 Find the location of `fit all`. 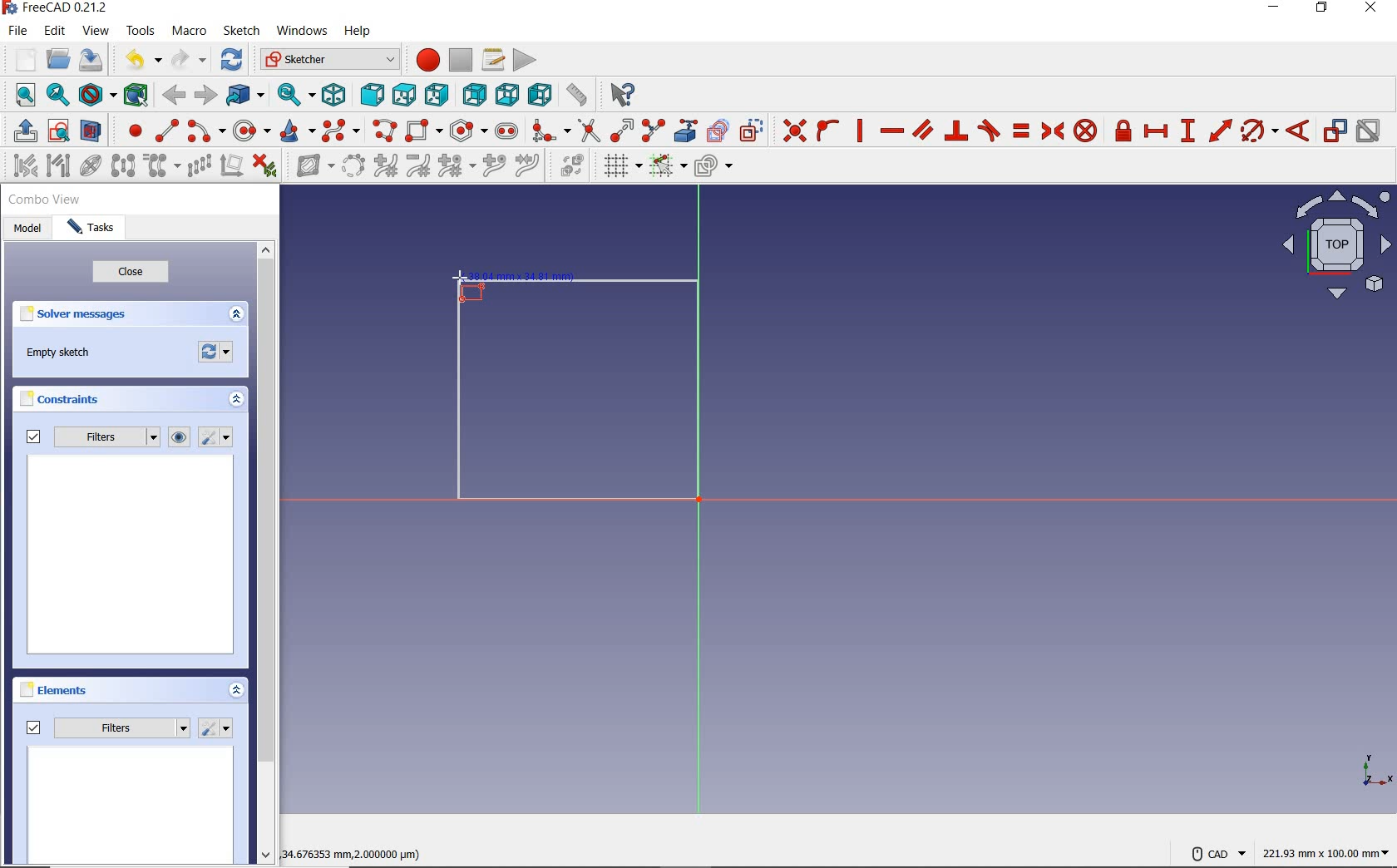

fit all is located at coordinates (20, 96).